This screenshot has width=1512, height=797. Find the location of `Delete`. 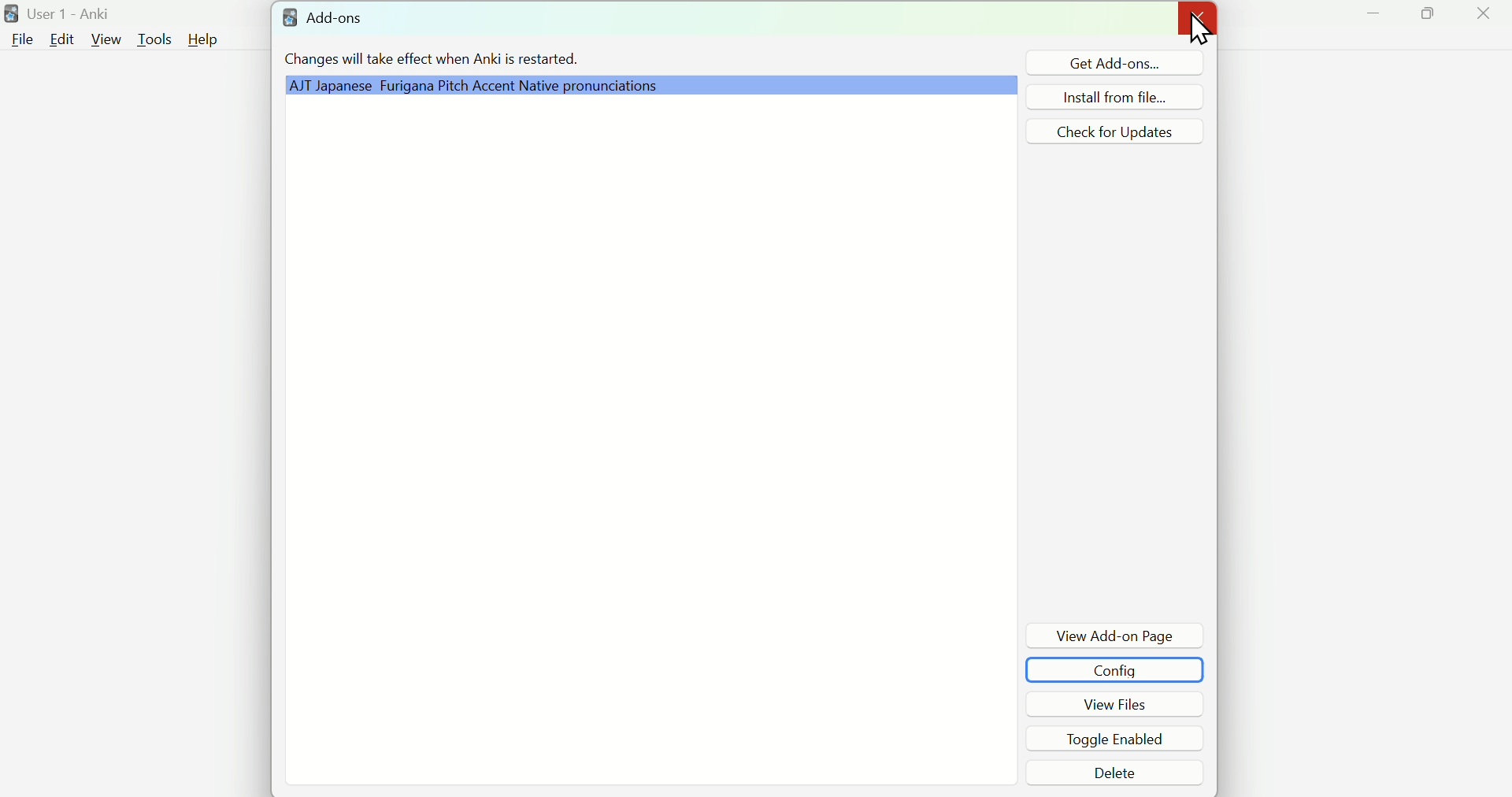

Delete is located at coordinates (1114, 774).